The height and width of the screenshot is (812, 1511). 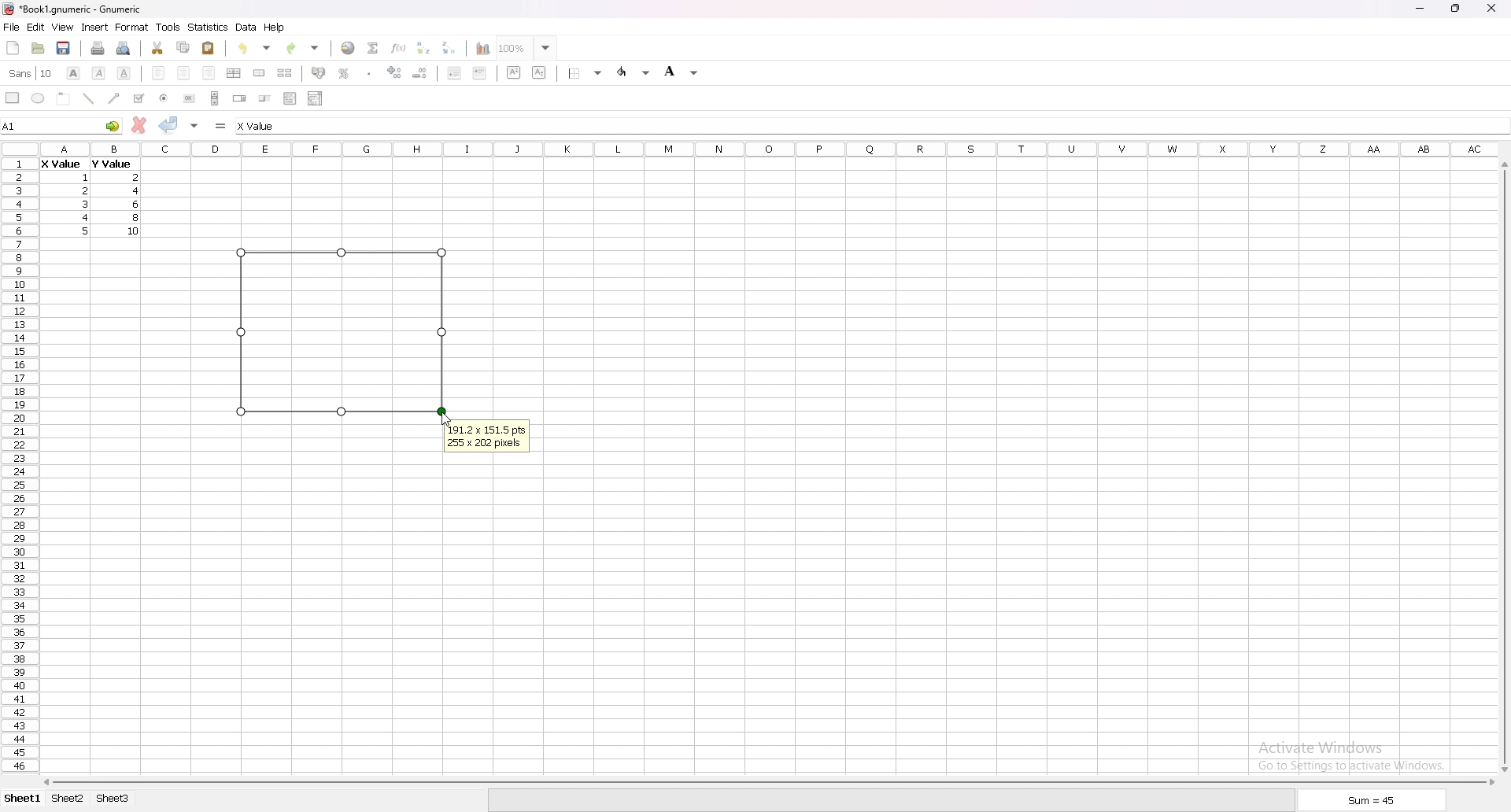 What do you see at coordinates (168, 27) in the screenshot?
I see `tools` at bounding box center [168, 27].